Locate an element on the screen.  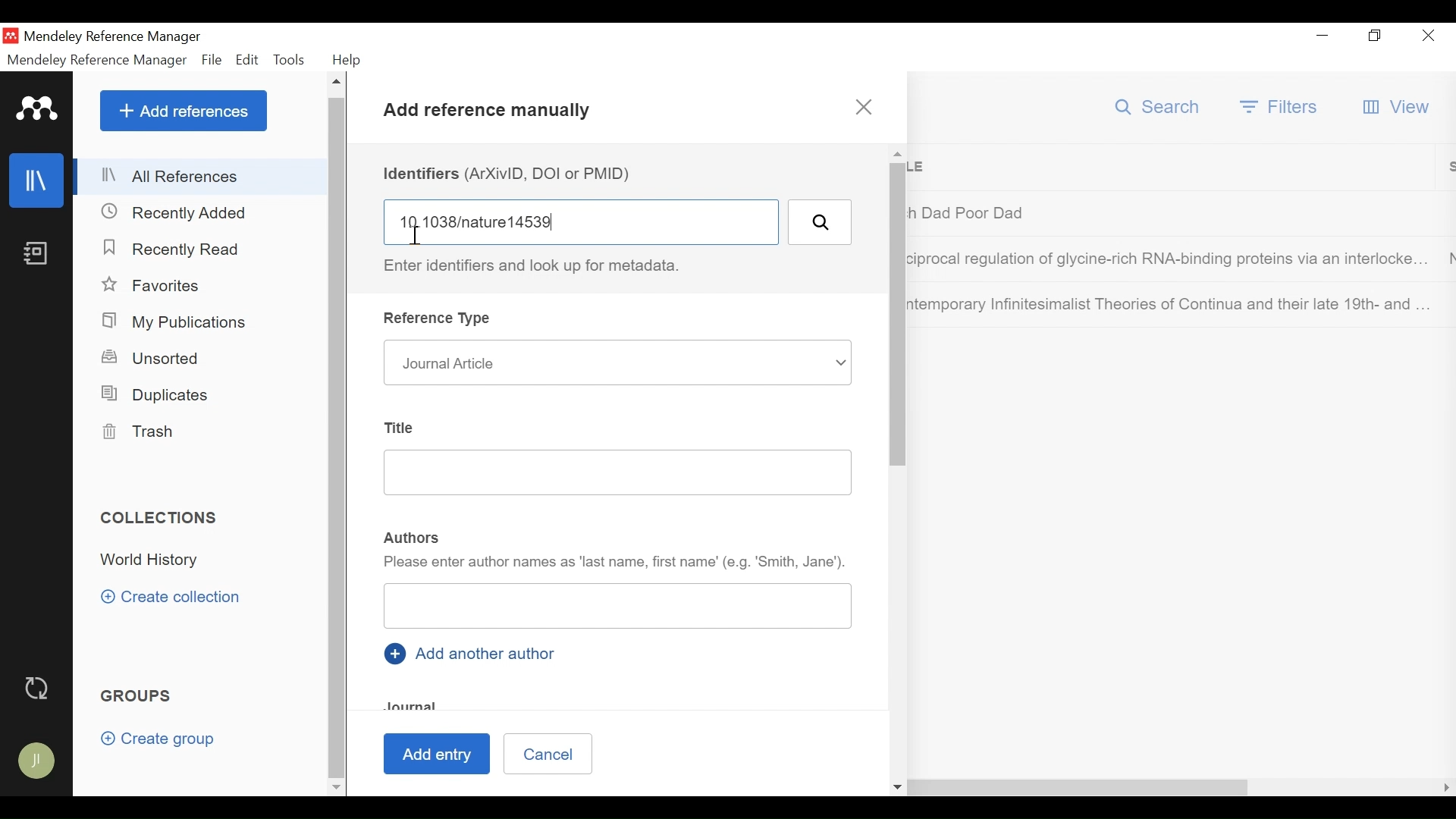
Mendeley Reference Manager is located at coordinates (98, 60).